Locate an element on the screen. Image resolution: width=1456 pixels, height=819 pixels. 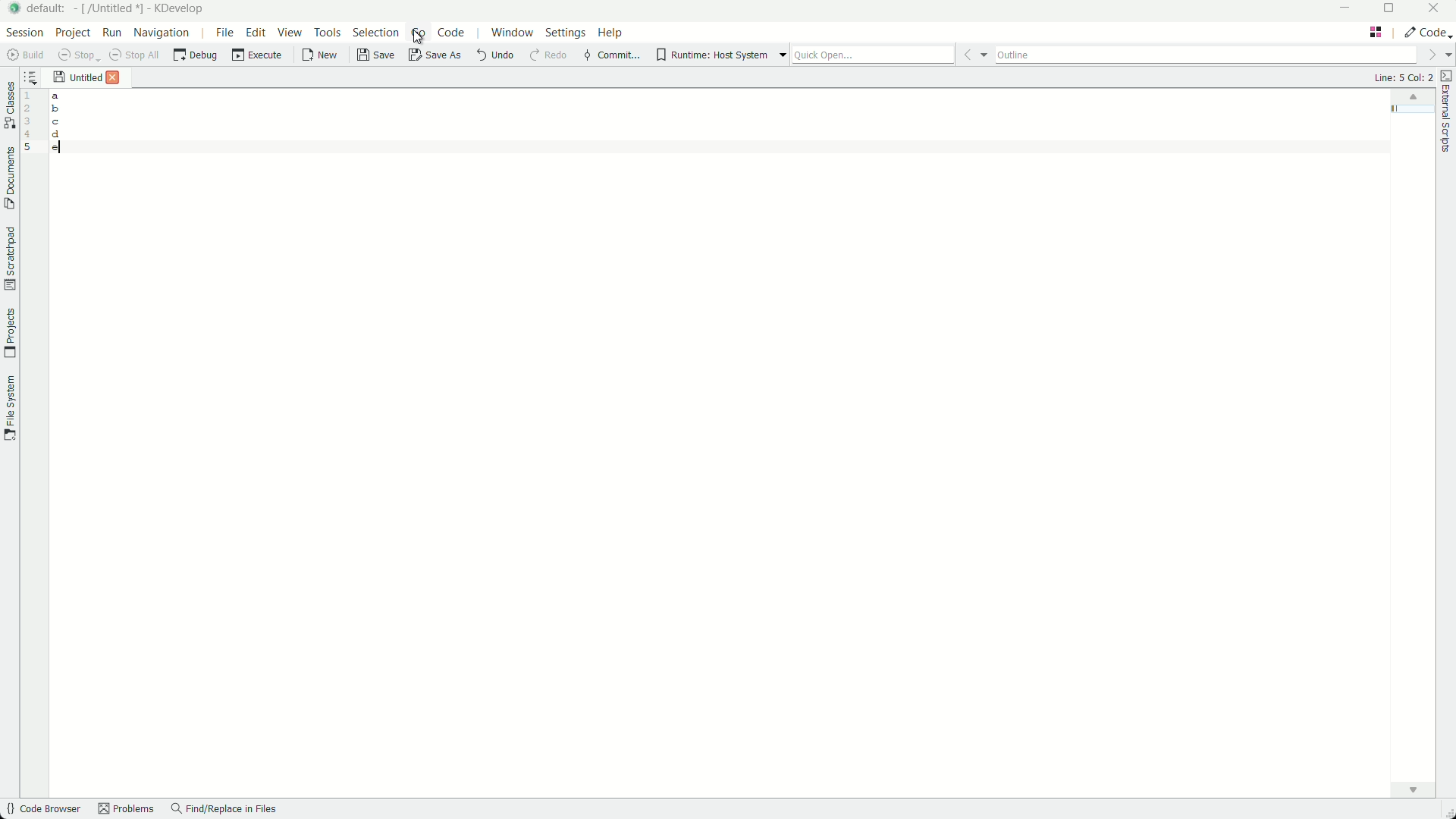
close is located at coordinates (112, 78).